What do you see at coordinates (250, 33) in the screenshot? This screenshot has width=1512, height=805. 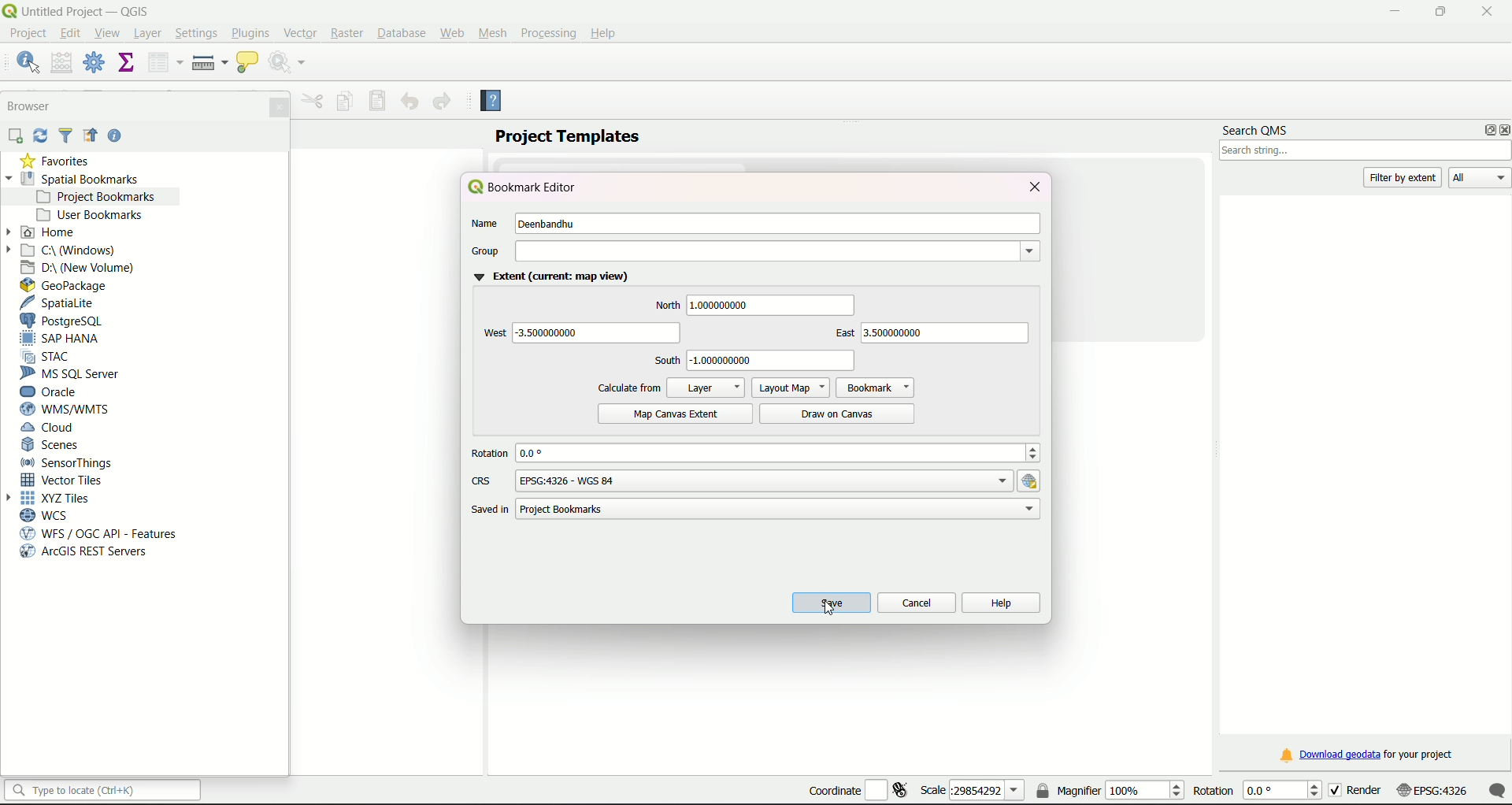 I see `Plugins` at bounding box center [250, 33].